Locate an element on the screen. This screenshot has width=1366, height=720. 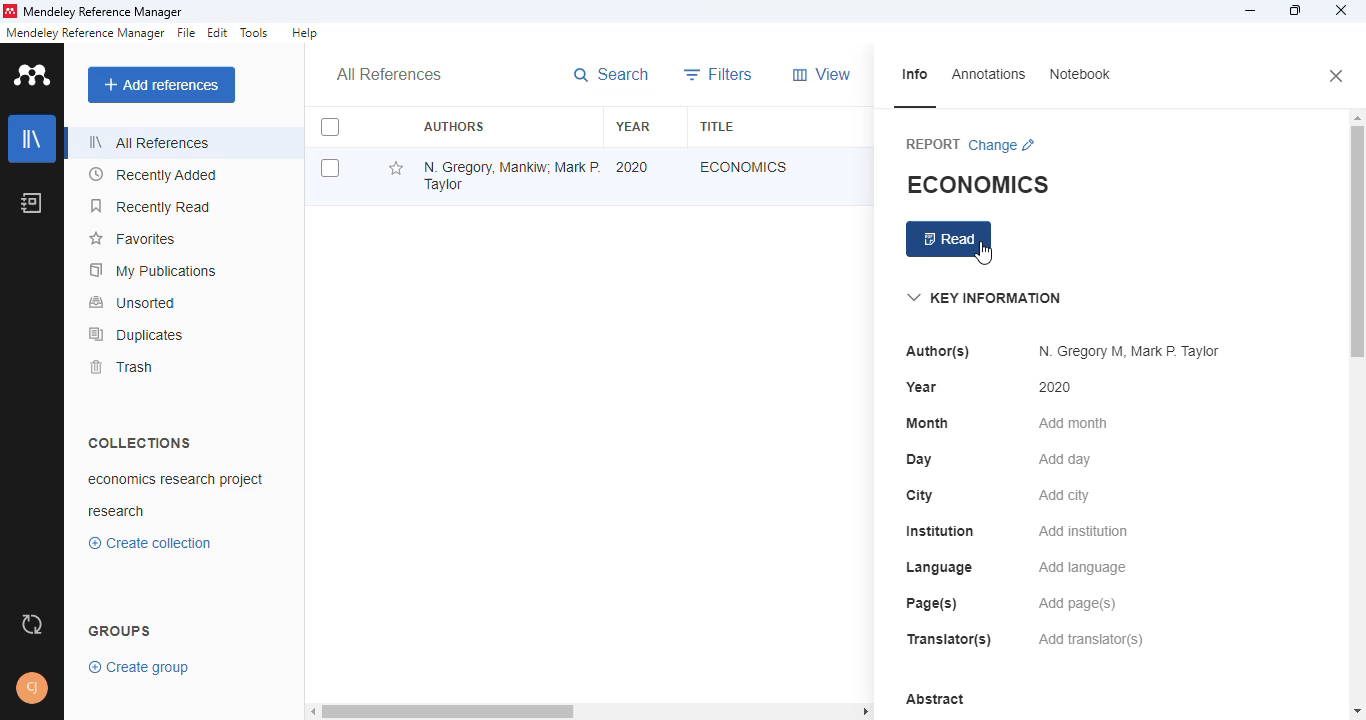
year is located at coordinates (634, 125).